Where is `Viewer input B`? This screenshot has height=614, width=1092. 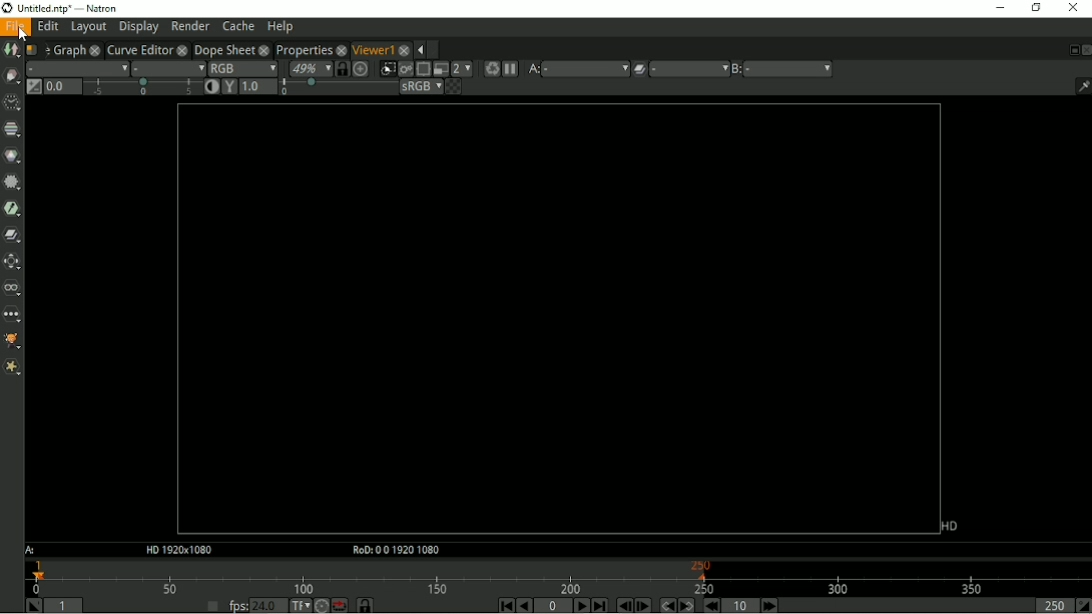 Viewer input B is located at coordinates (737, 69).